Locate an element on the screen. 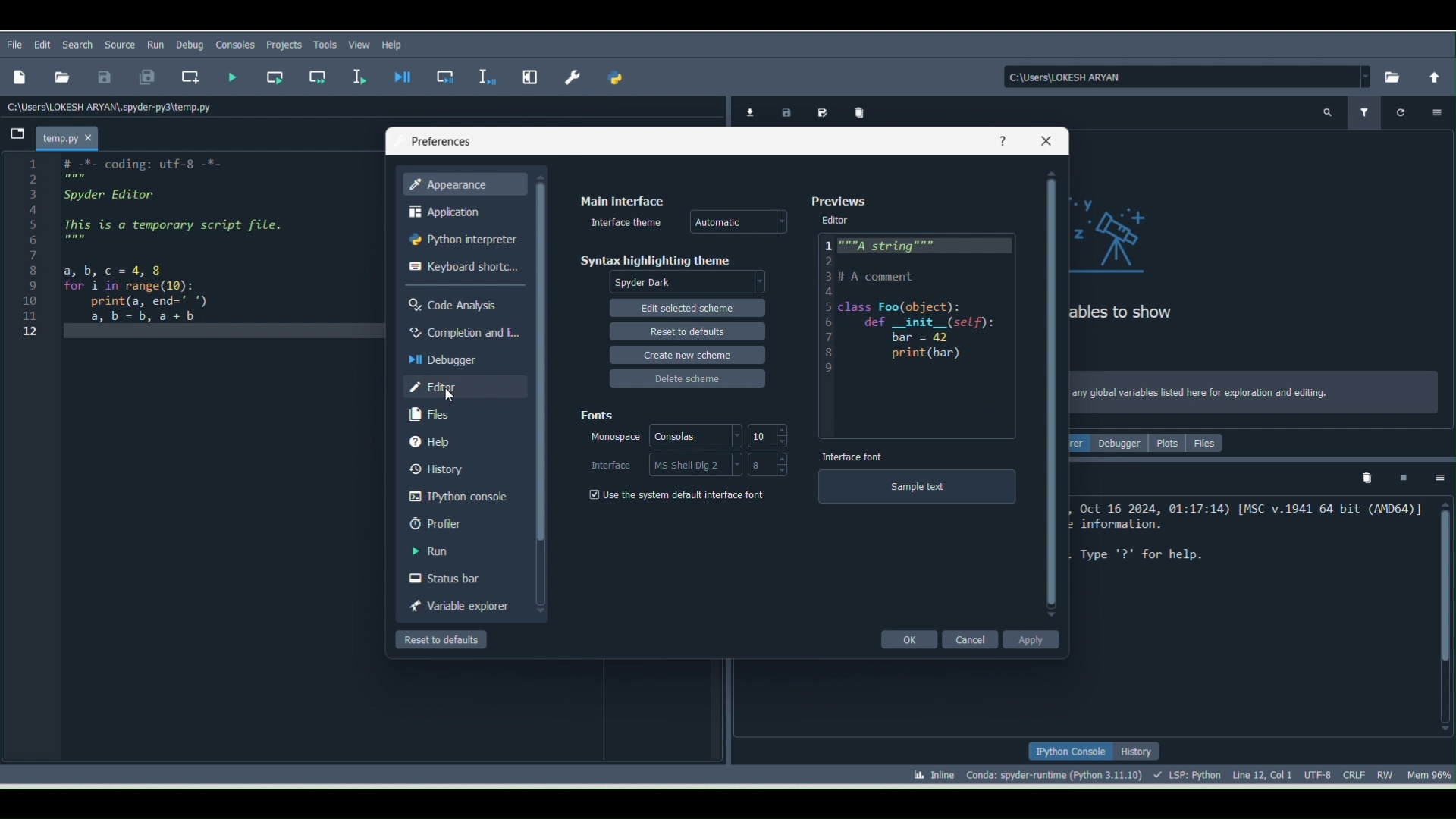  Cancel is located at coordinates (977, 639).